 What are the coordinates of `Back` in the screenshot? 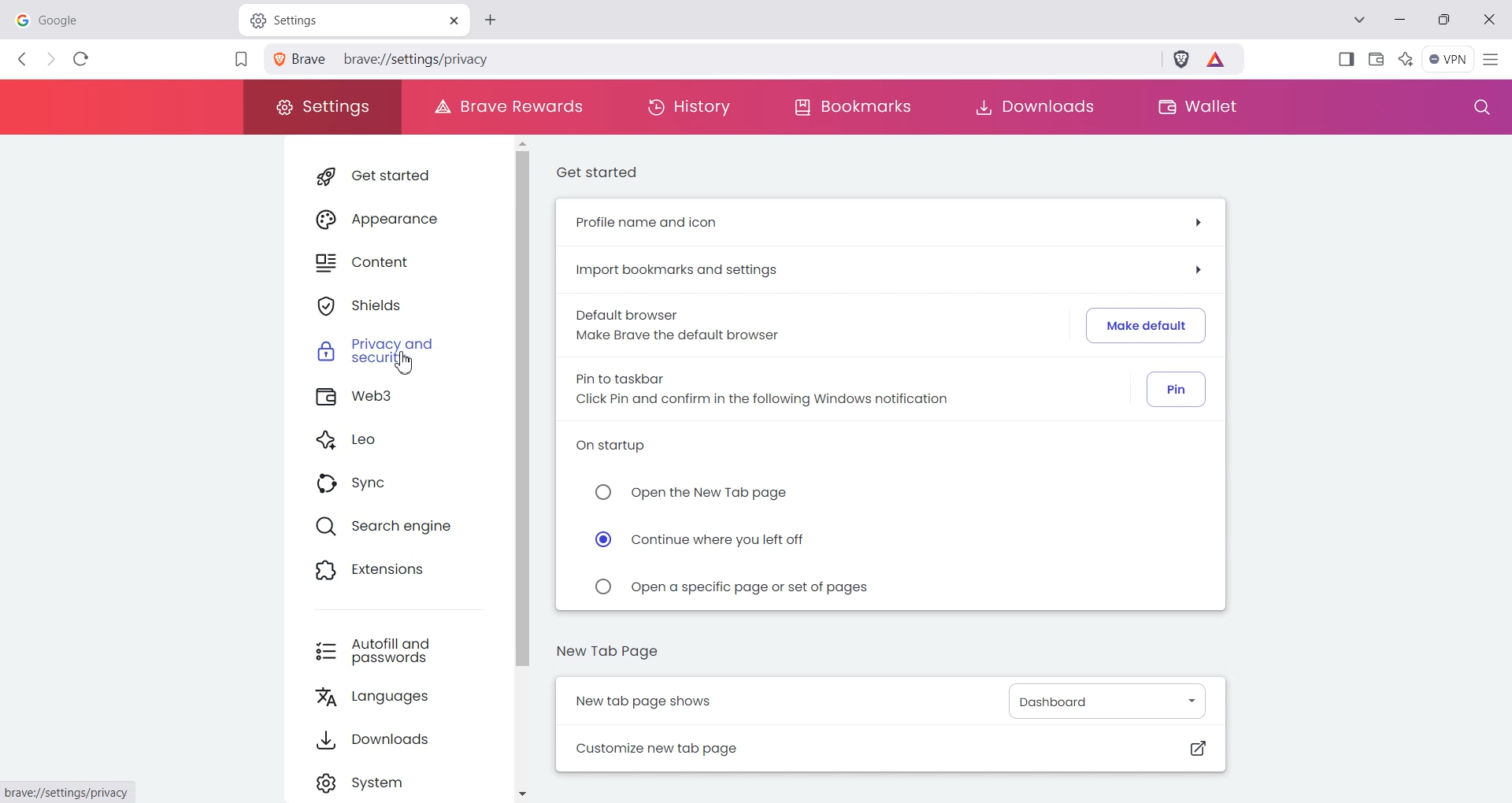 It's located at (24, 59).